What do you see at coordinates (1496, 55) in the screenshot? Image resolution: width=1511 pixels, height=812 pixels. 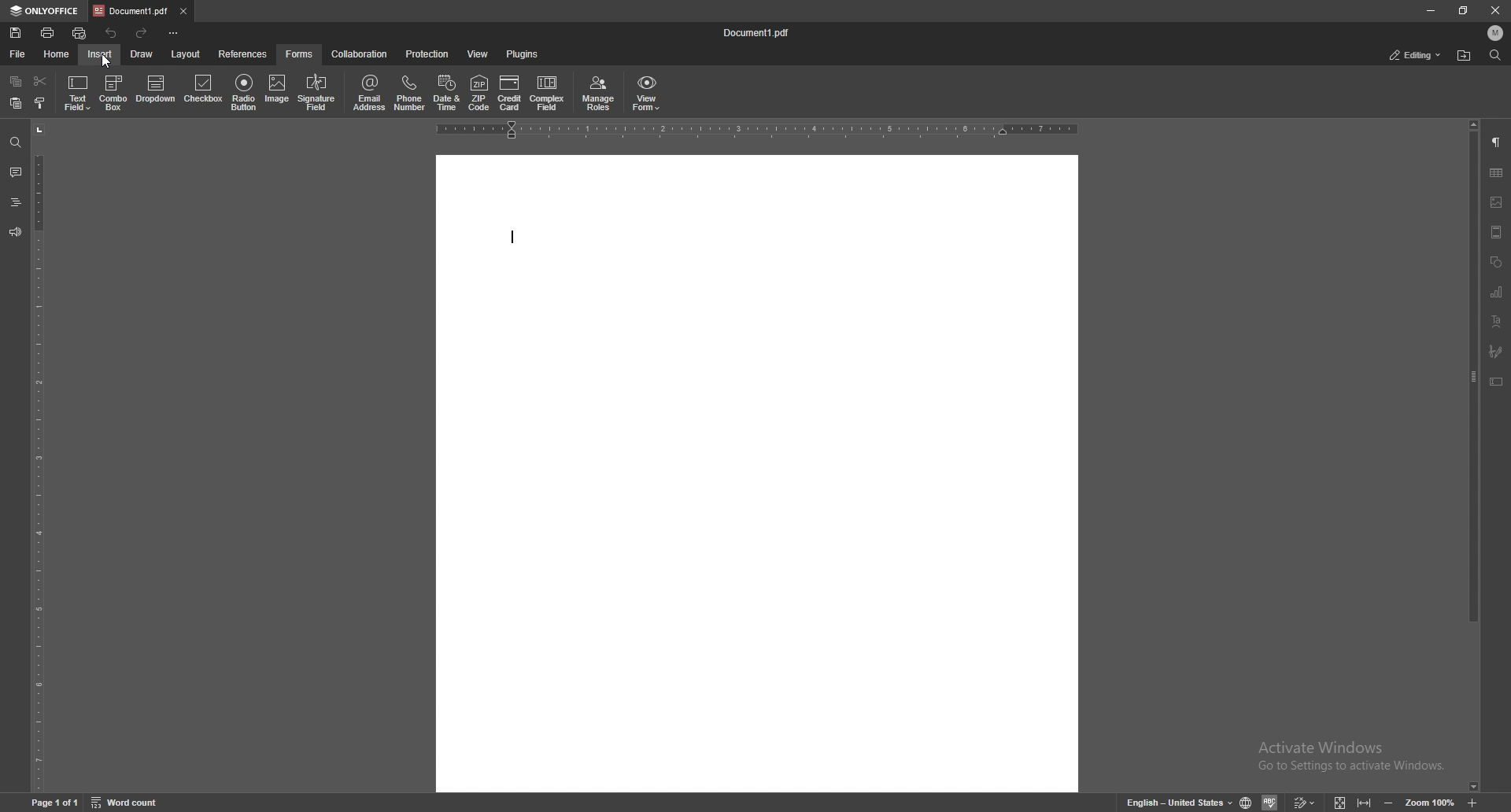 I see `find` at bounding box center [1496, 55].